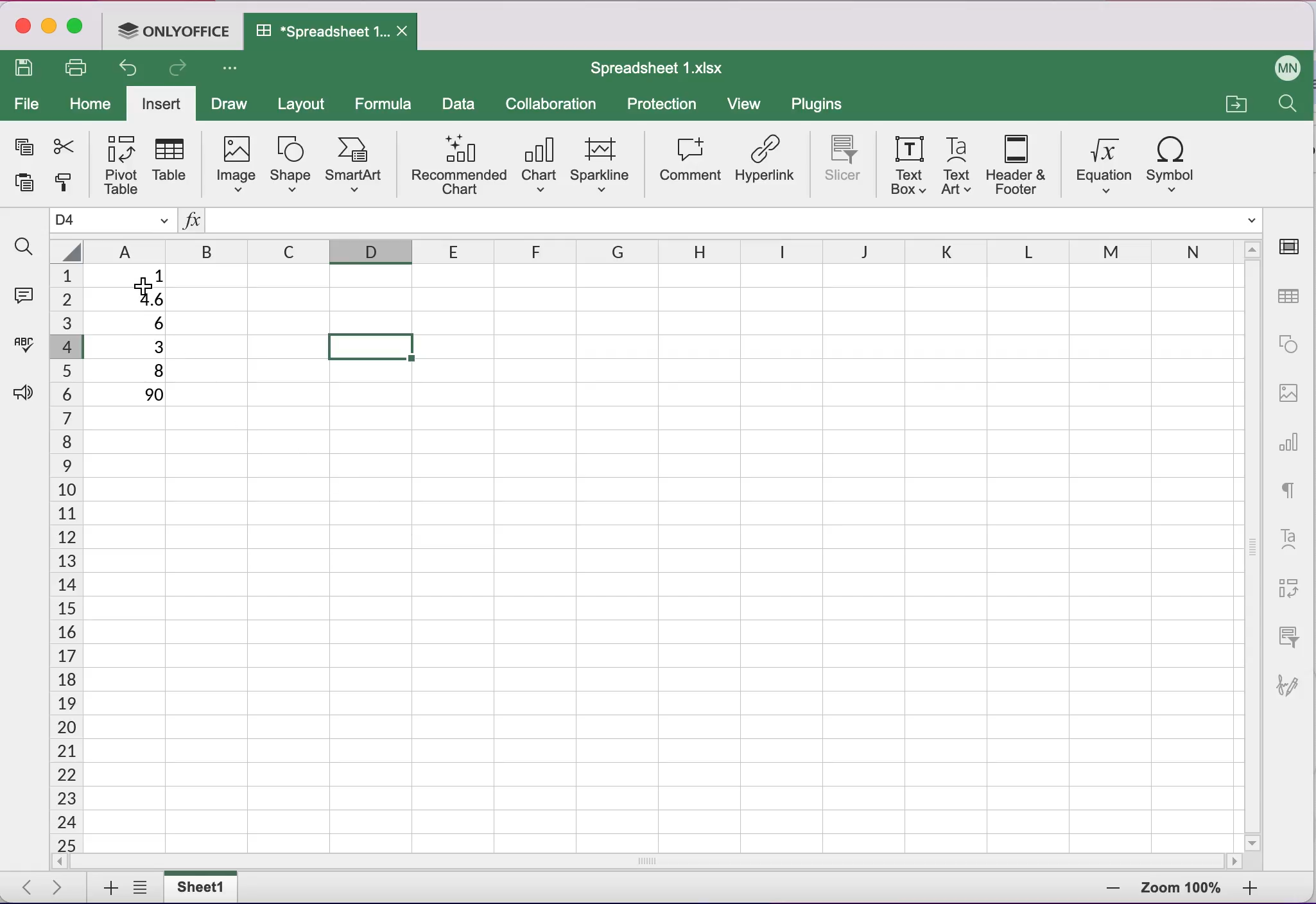  What do you see at coordinates (1239, 105) in the screenshot?
I see `open a file location` at bounding box center [1239, 105].